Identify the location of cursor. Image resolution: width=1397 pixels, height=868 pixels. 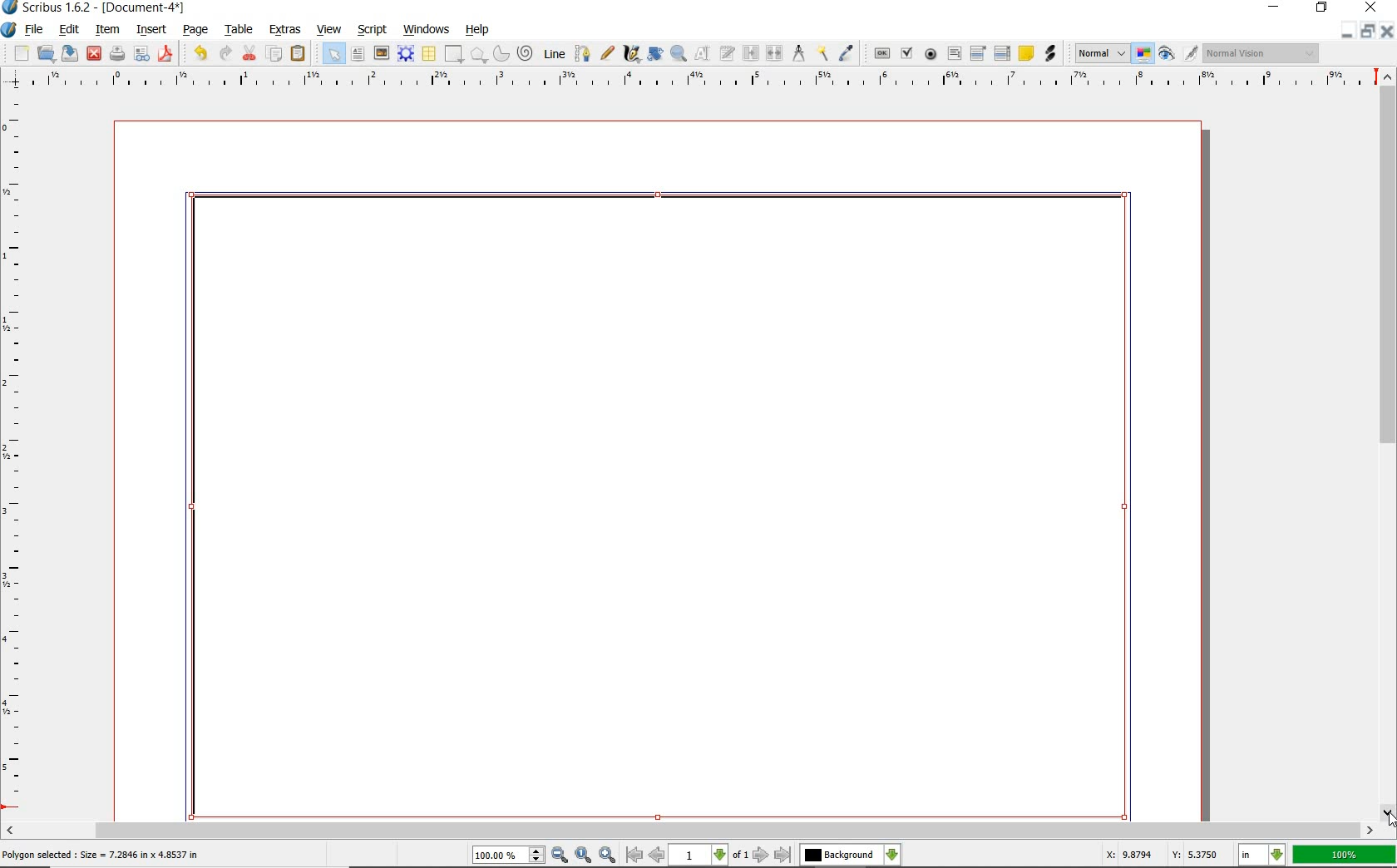
(1387, 816).